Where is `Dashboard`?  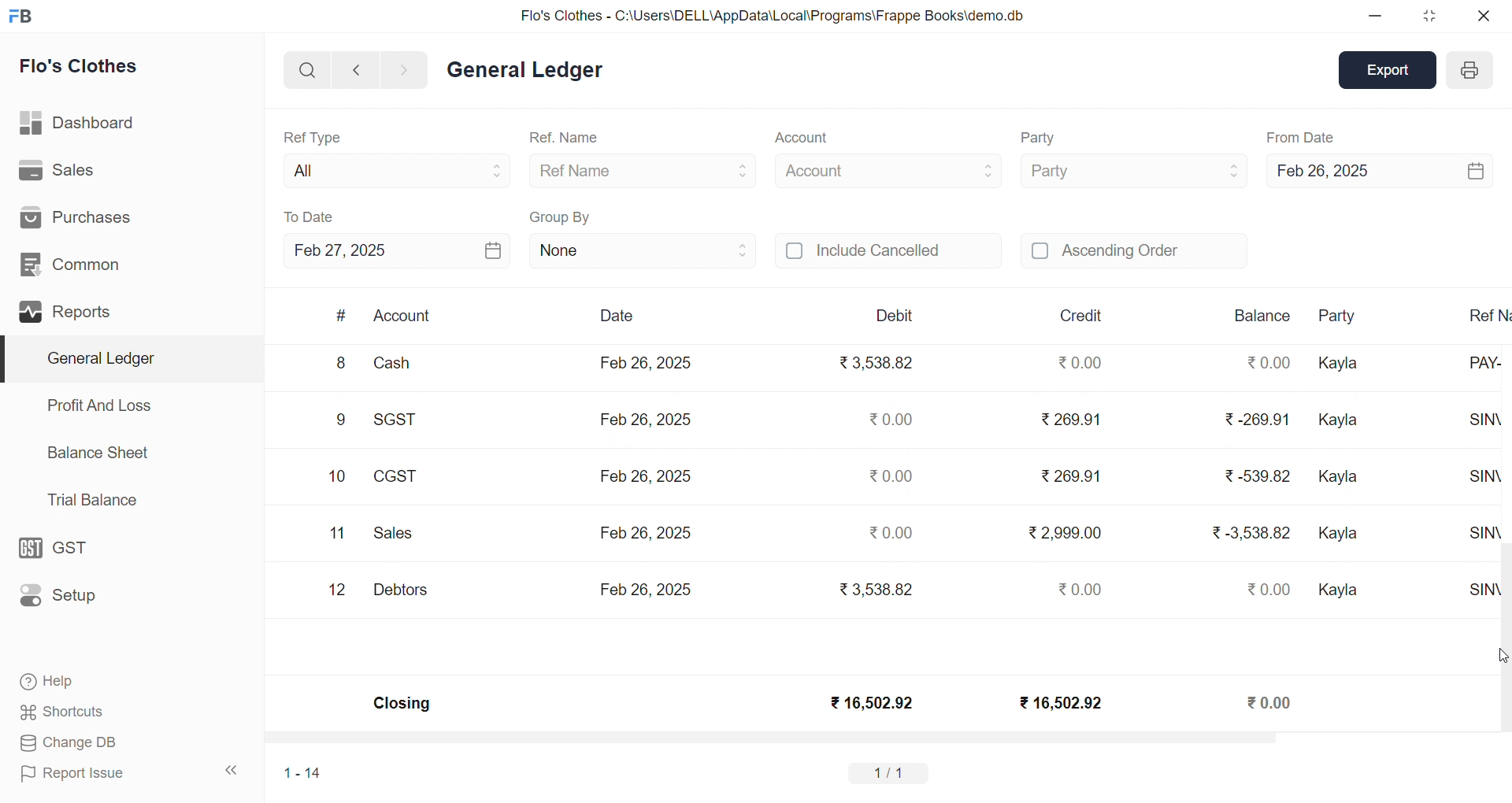 Dashboard is located at coordinates (75, 120).